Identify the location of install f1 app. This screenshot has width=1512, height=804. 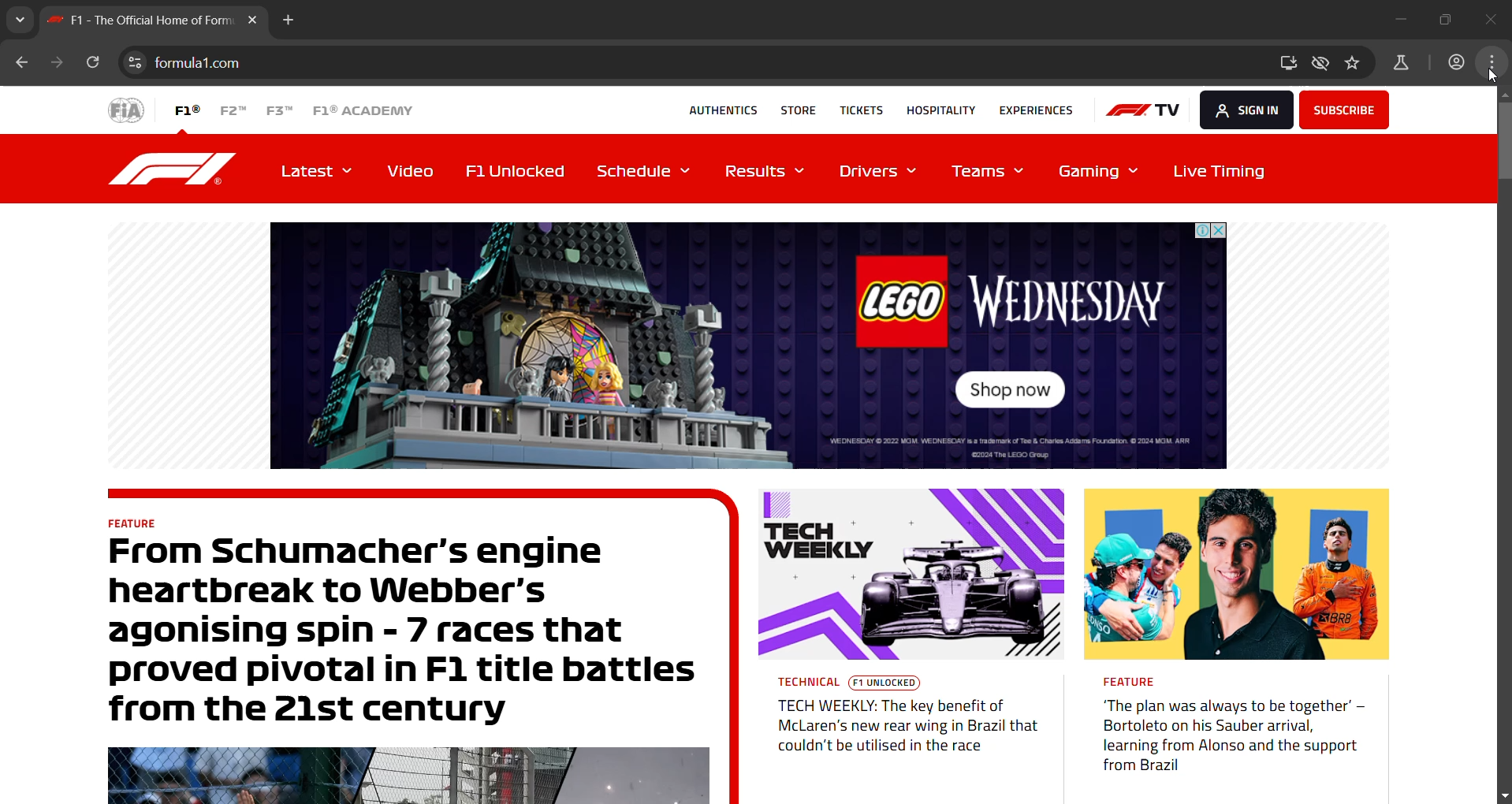
(1280, 62).